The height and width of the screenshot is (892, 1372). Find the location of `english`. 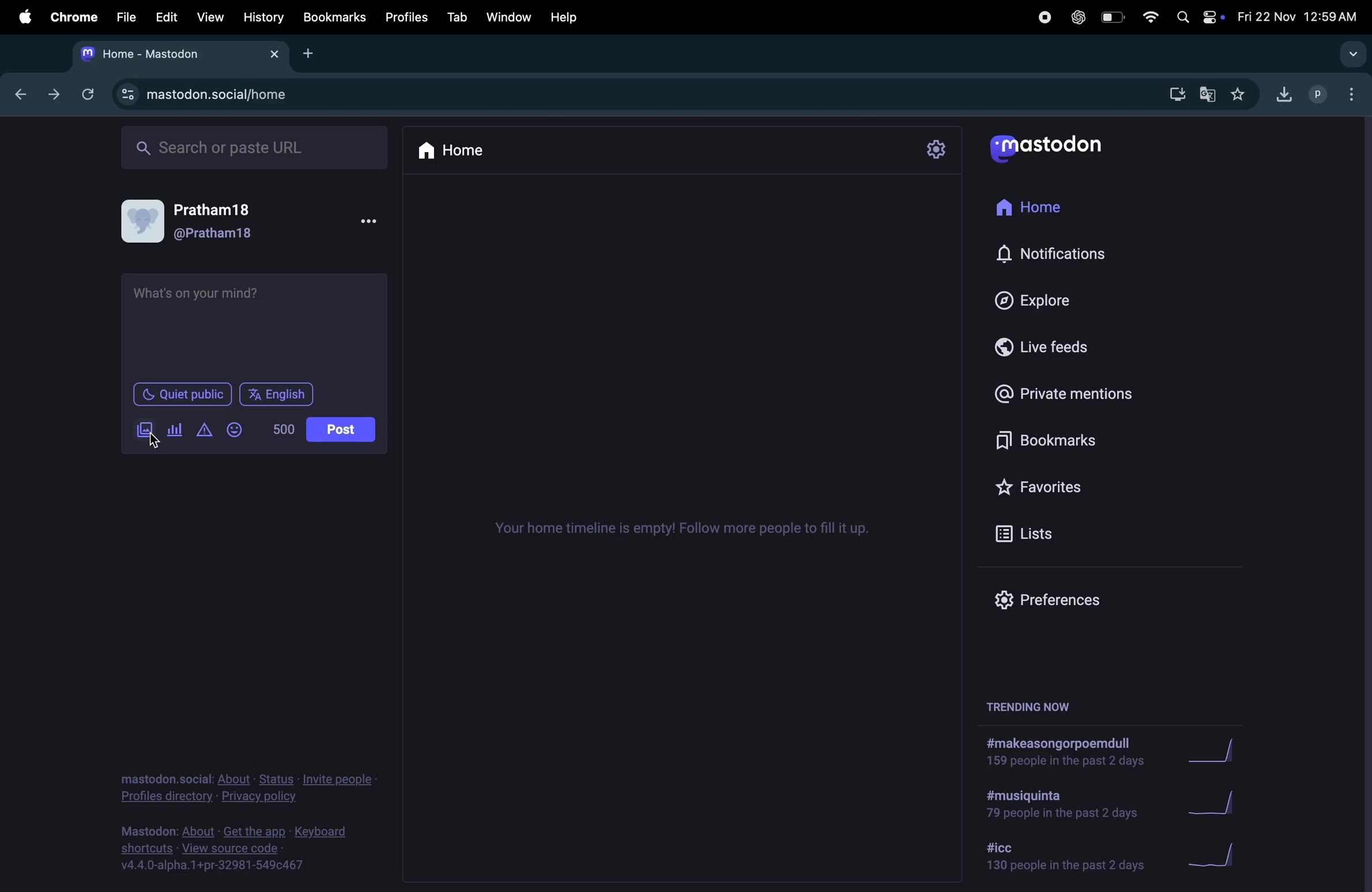

english is located at coordinates (278, 394).